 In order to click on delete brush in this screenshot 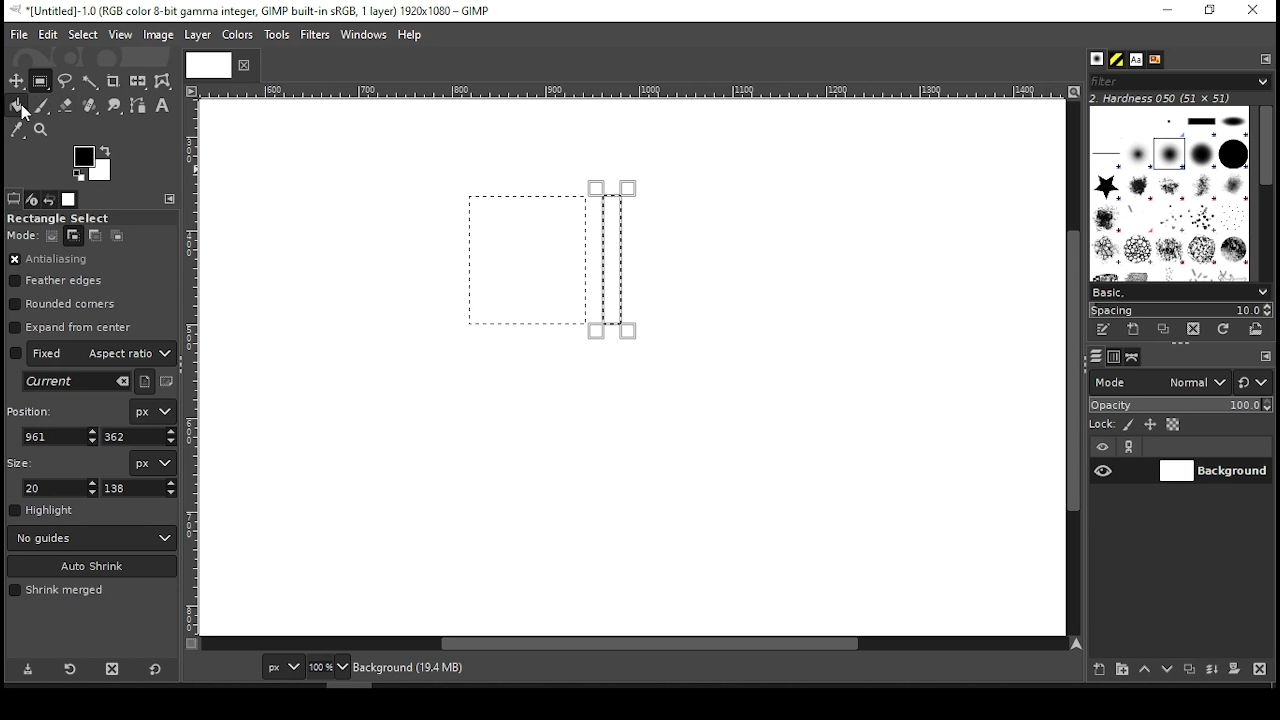, I will do `click(1196, 330)`.